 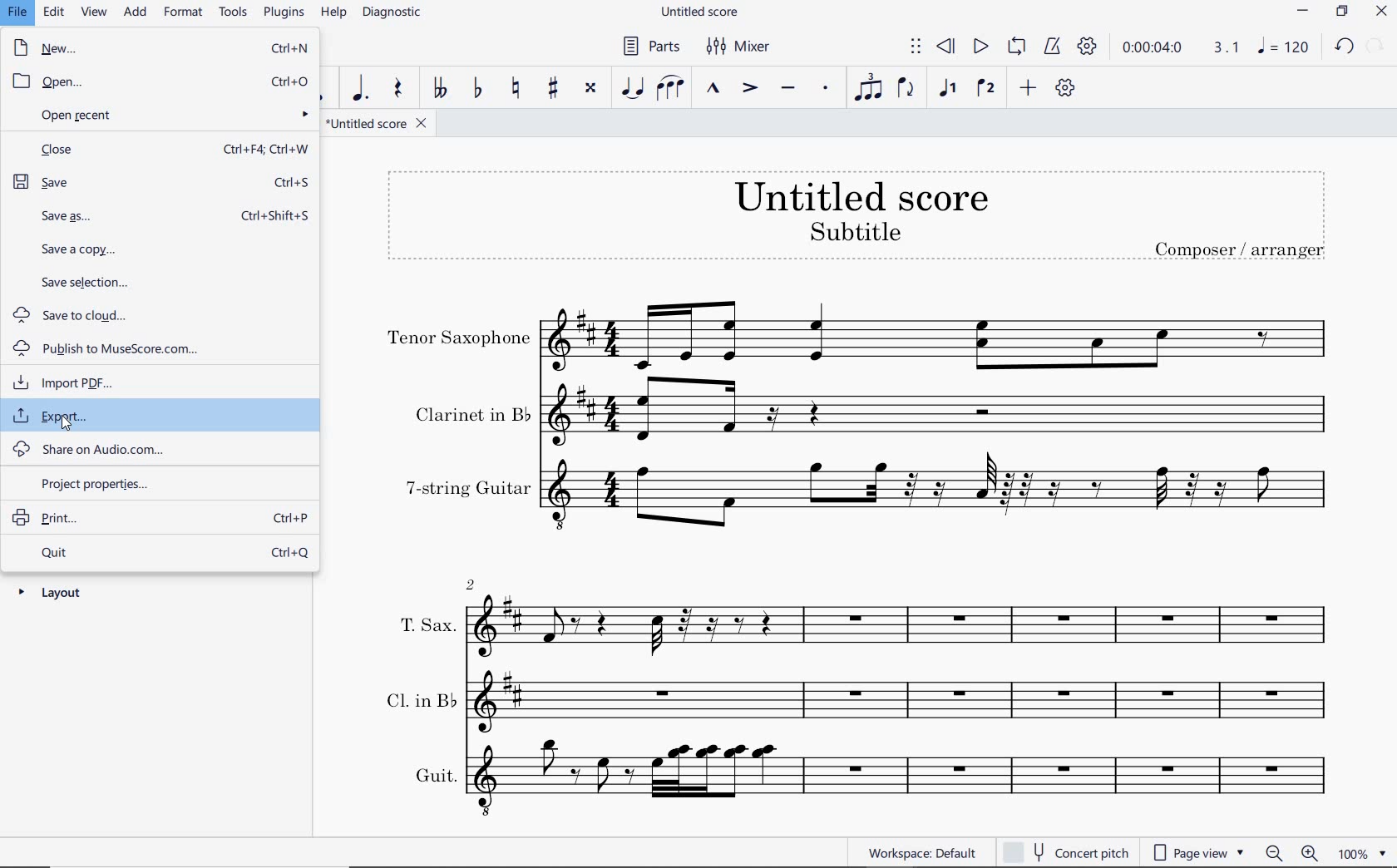 What do you see at coordinates (554, 90) in the screenshot?
I see `TOGGLE SHARP` at bounding box center [554, 90].